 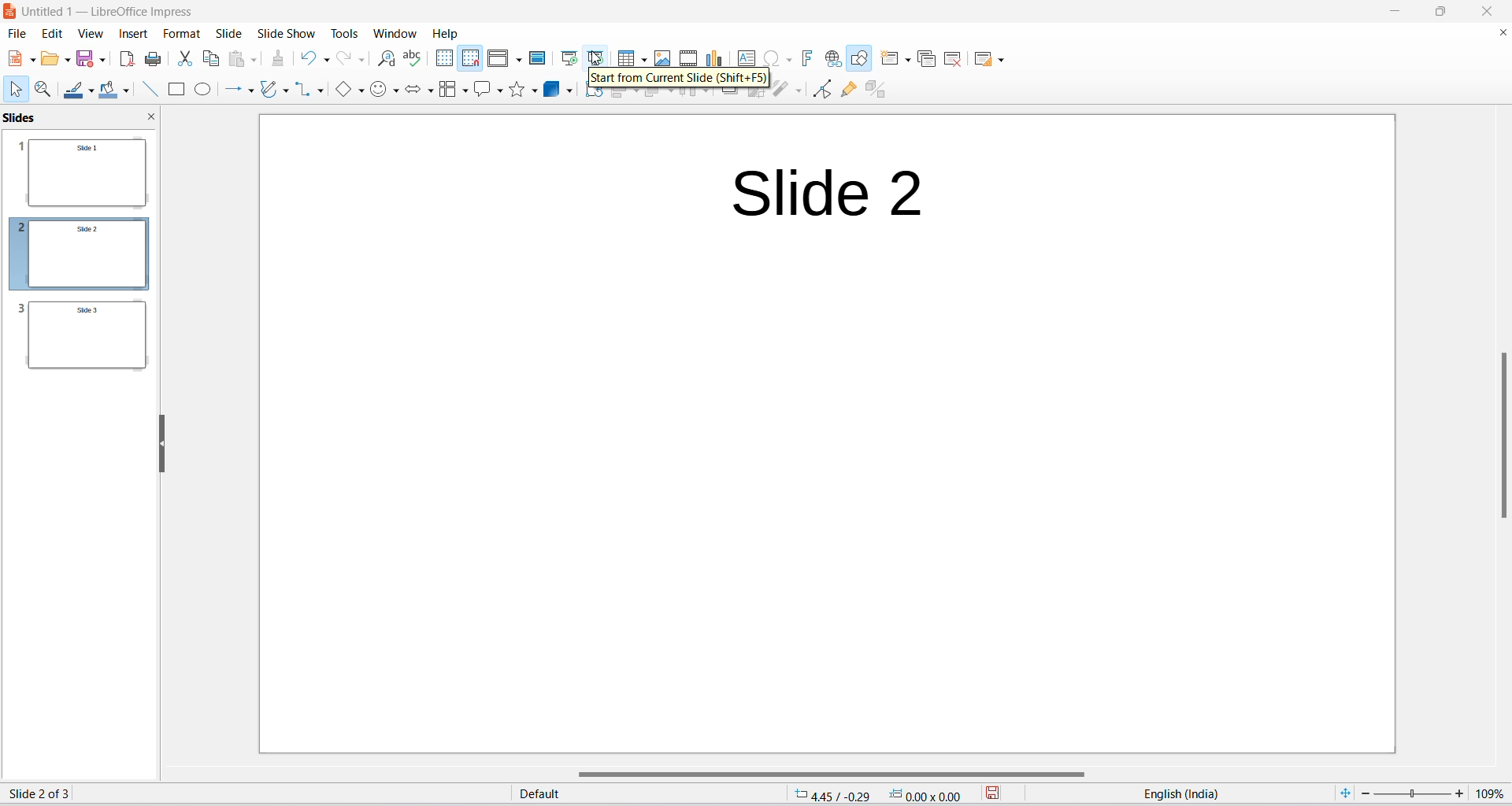 I want to click on block arrows, so click(x=413, y=91).